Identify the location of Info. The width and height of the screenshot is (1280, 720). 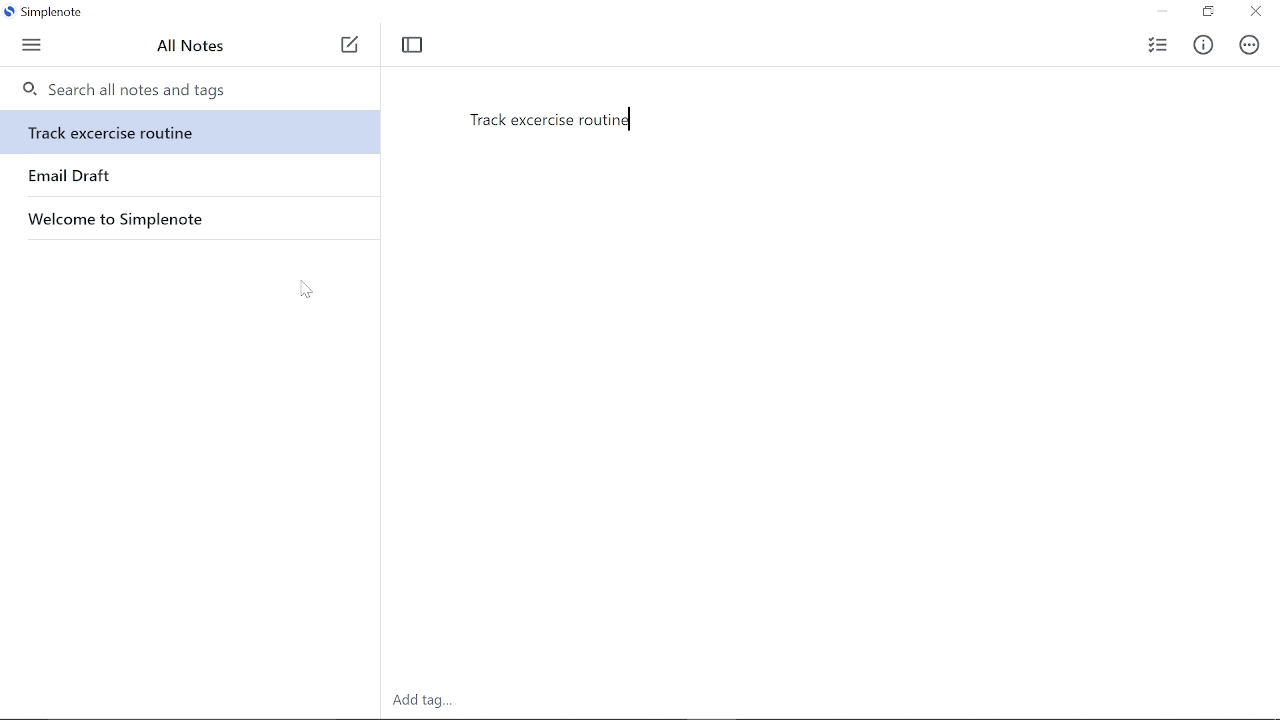
(1202, 44).